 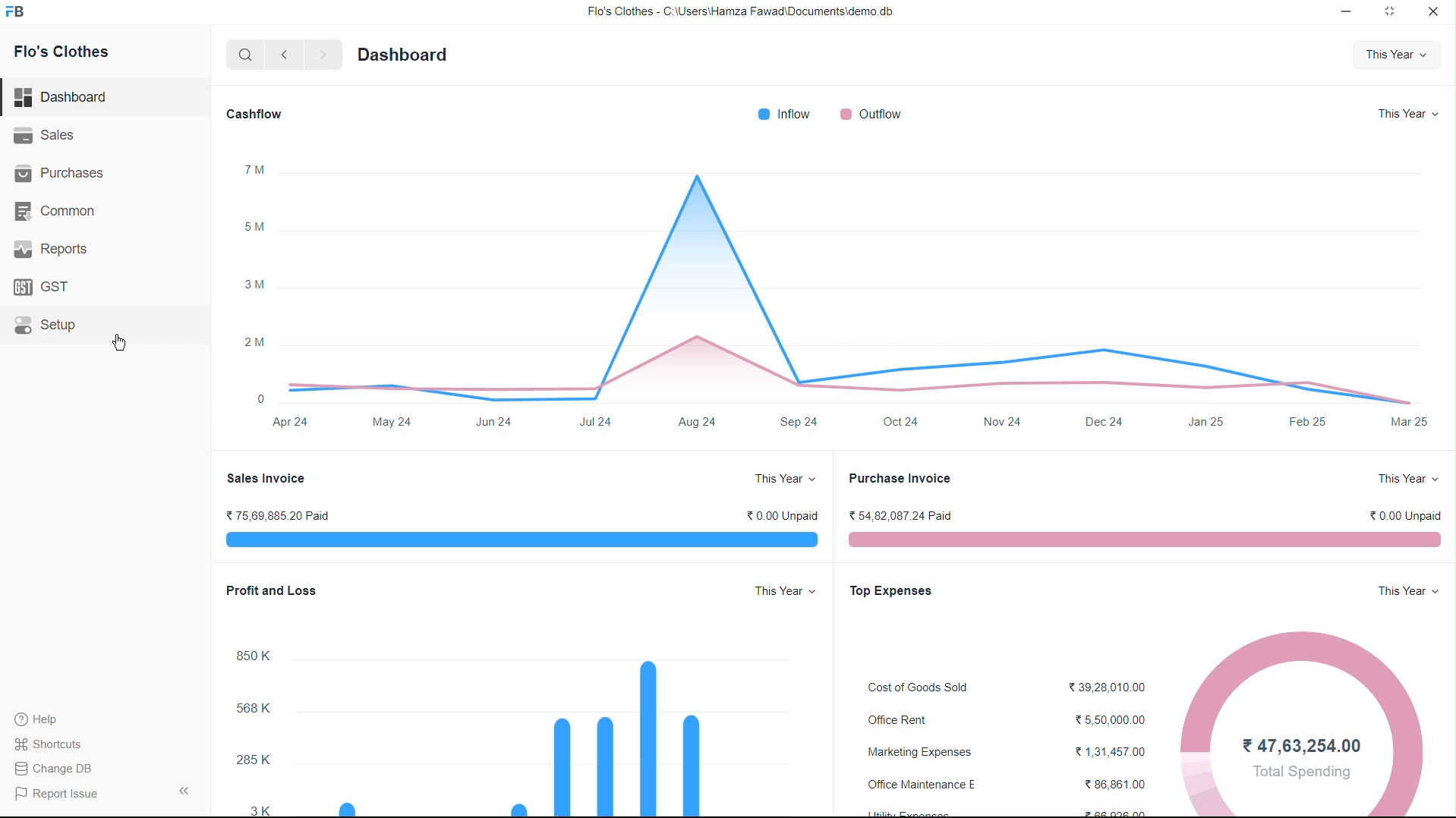 I want to click on 0.00 unpaid, so click(x=777, y=515).